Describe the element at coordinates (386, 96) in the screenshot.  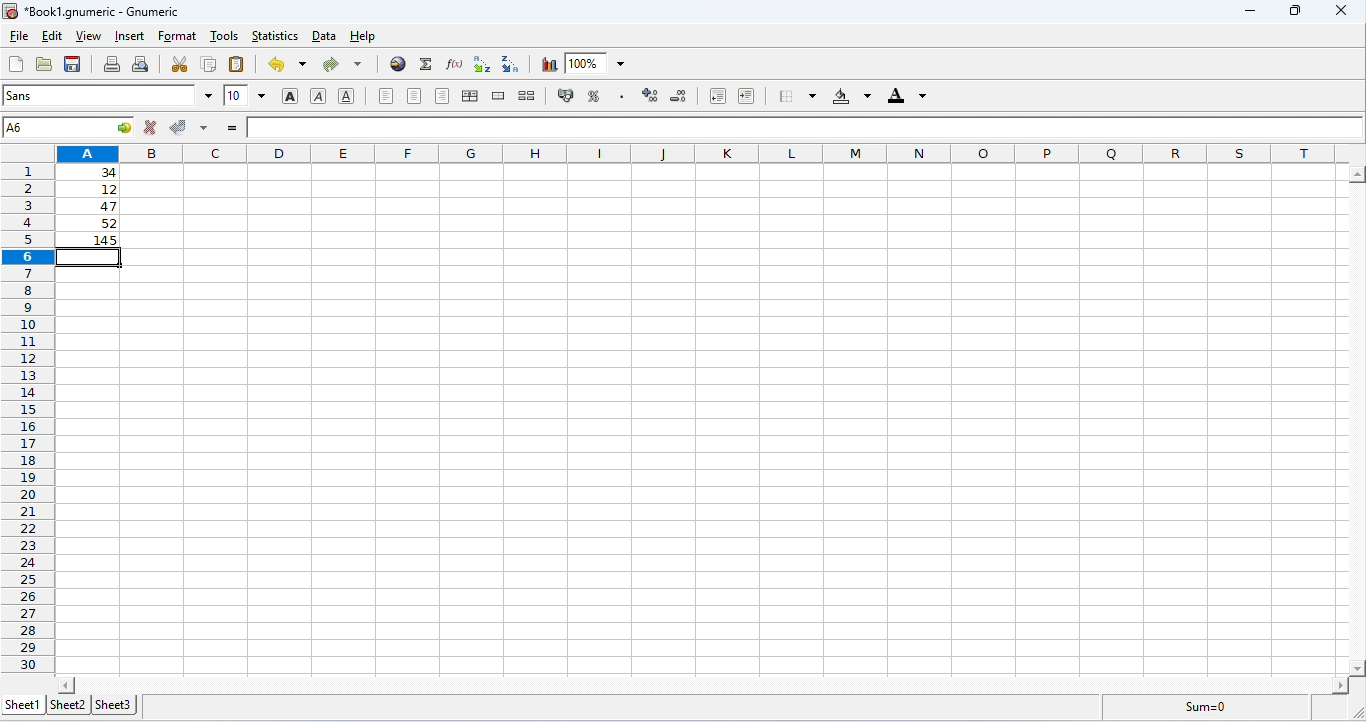
I see `align left` at that location.